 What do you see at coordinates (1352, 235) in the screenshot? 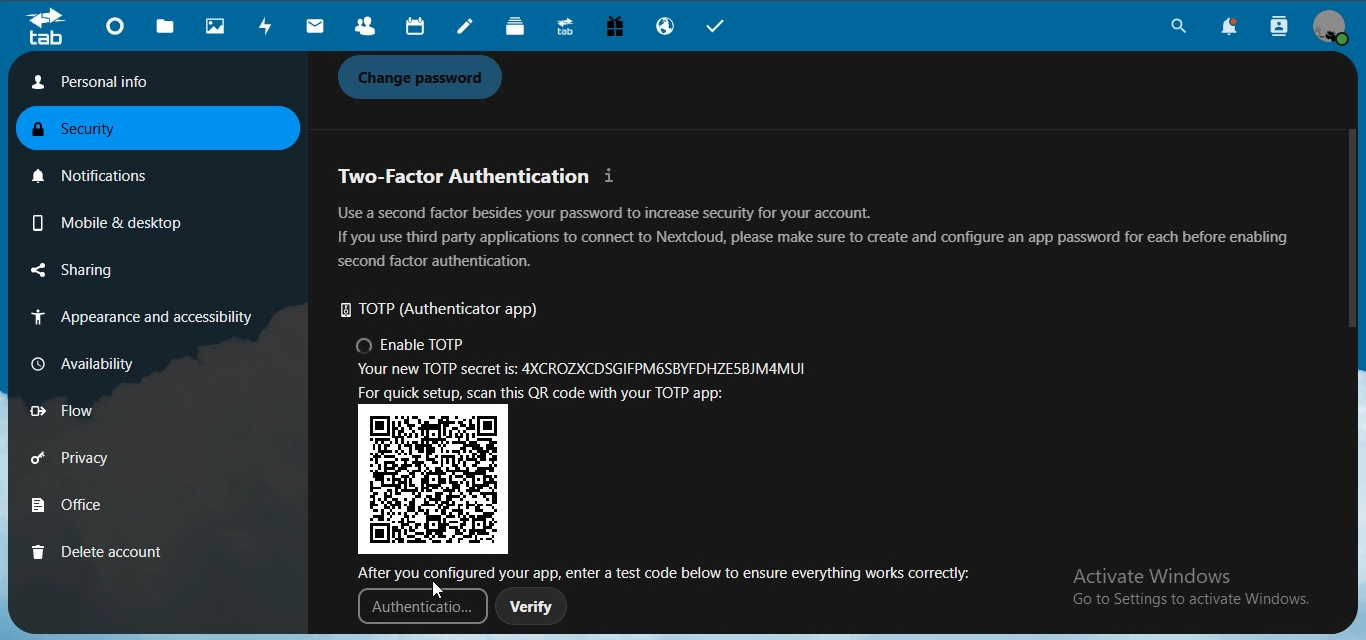
I see `scroll bar` at bounding box center [1352, 235].